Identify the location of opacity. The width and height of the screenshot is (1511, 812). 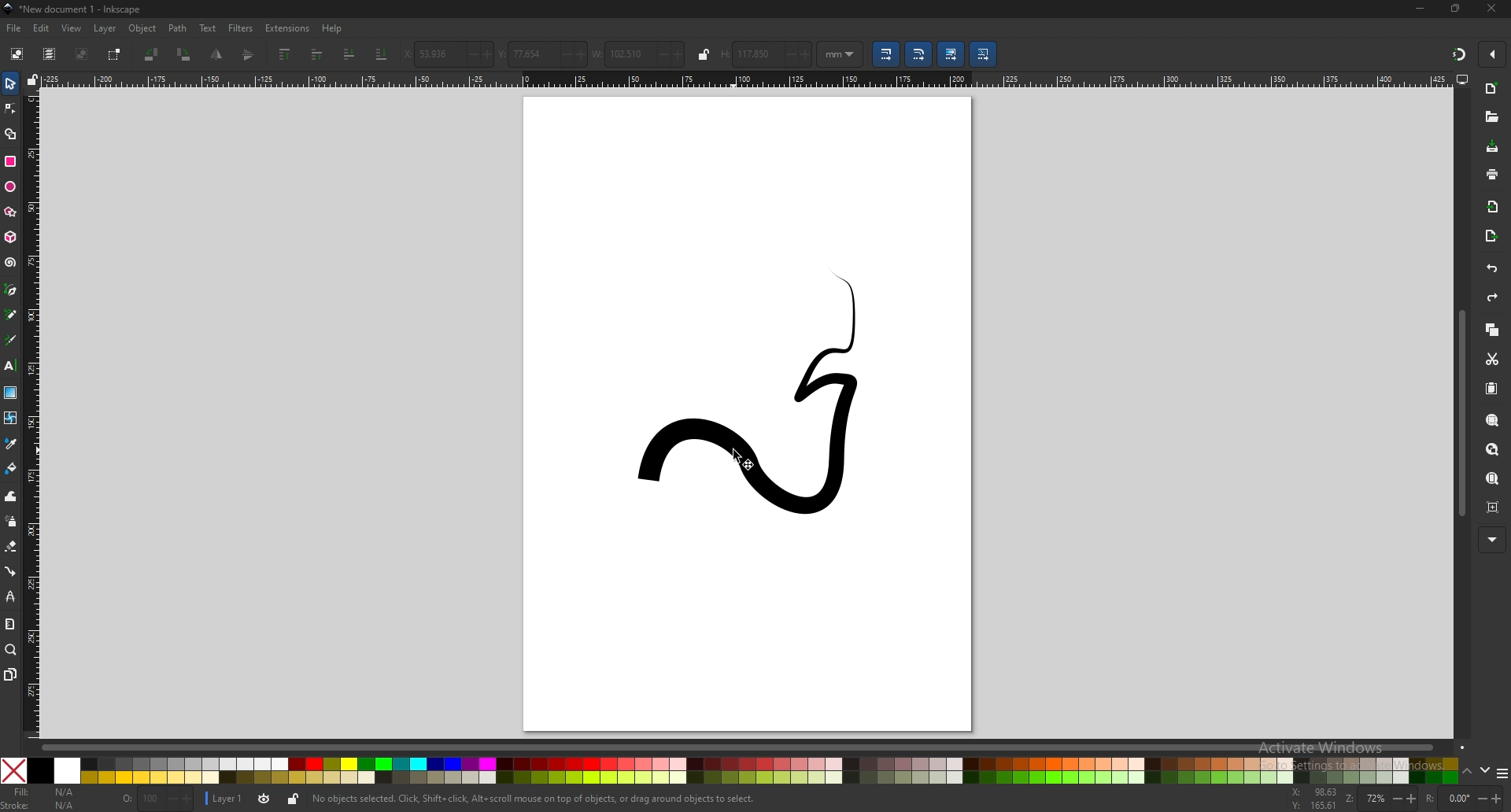
(157, 799).